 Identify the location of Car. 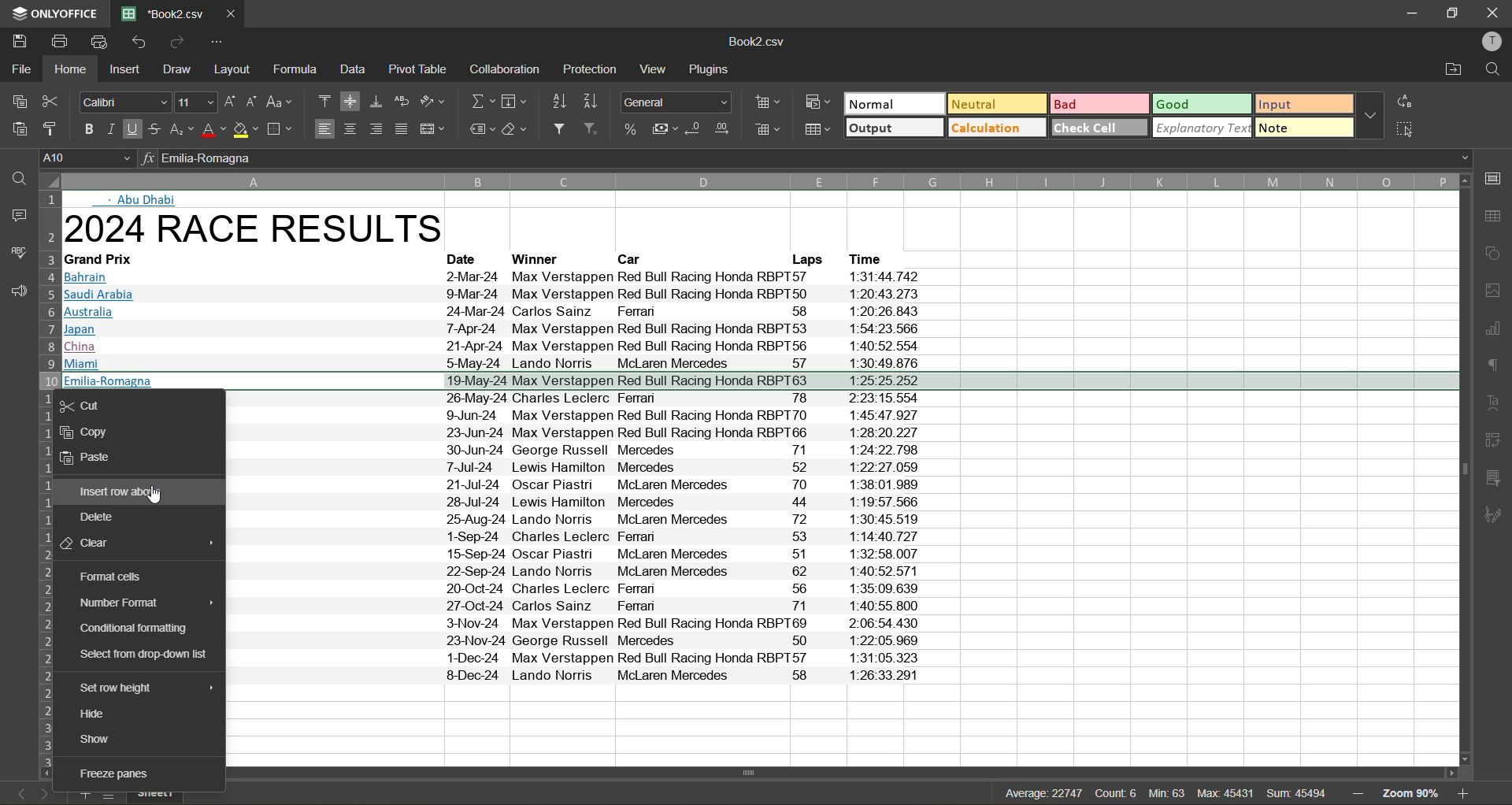
(635, 258).